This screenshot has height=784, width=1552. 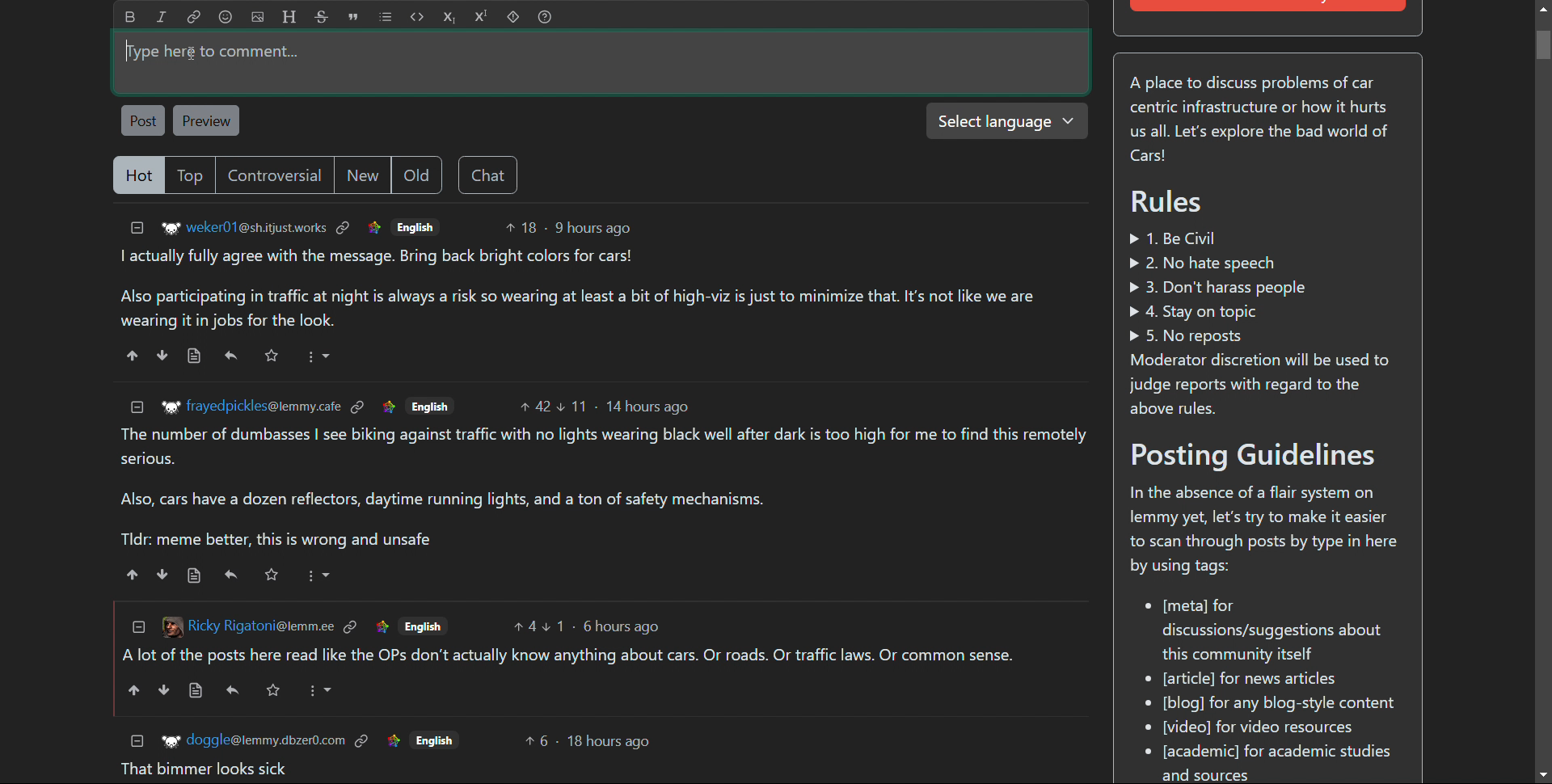 What do you see at coordinates (137, 740) in the screenshot?
I see `collapse` at bounding box center [137, 740].